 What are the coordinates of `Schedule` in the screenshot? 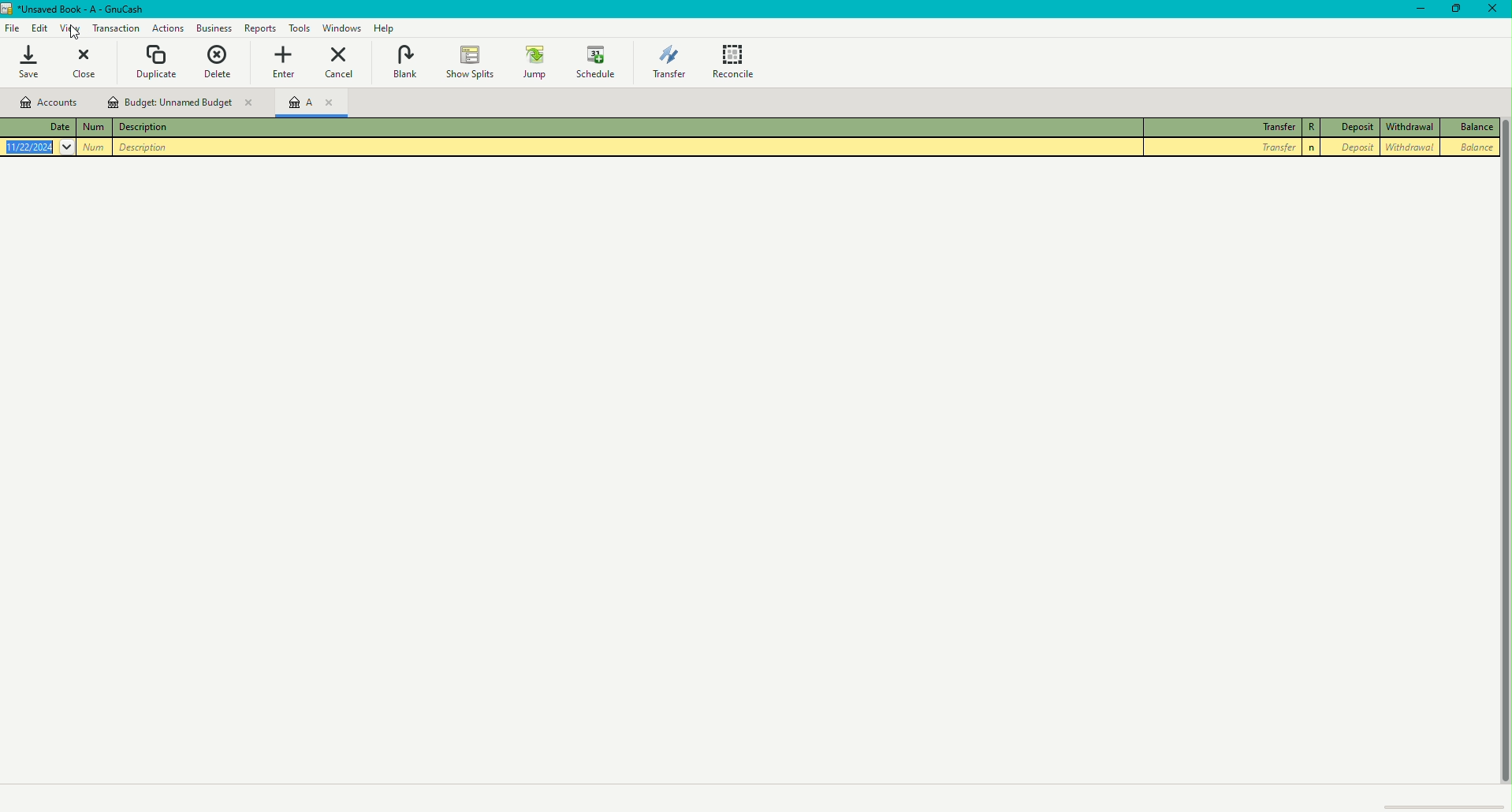 It's located at (597, 61).